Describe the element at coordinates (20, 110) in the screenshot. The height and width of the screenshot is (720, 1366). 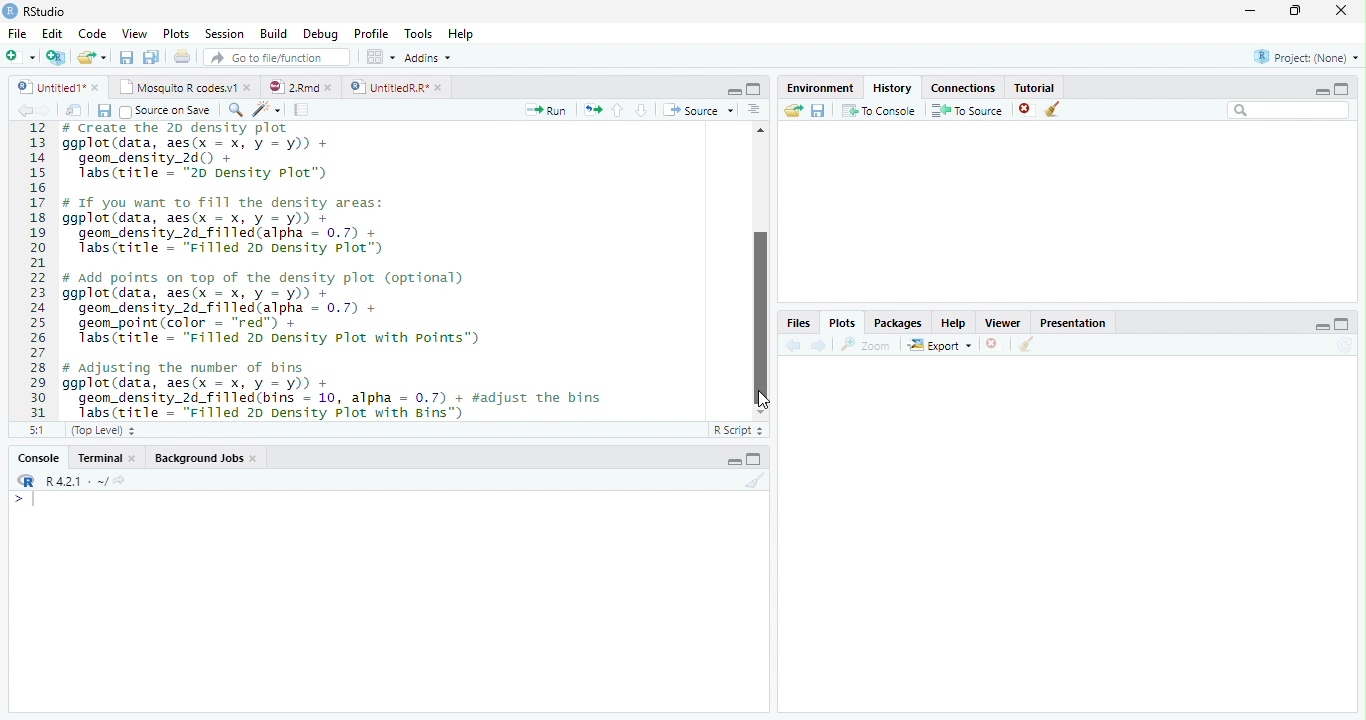
I see `back` at that location.